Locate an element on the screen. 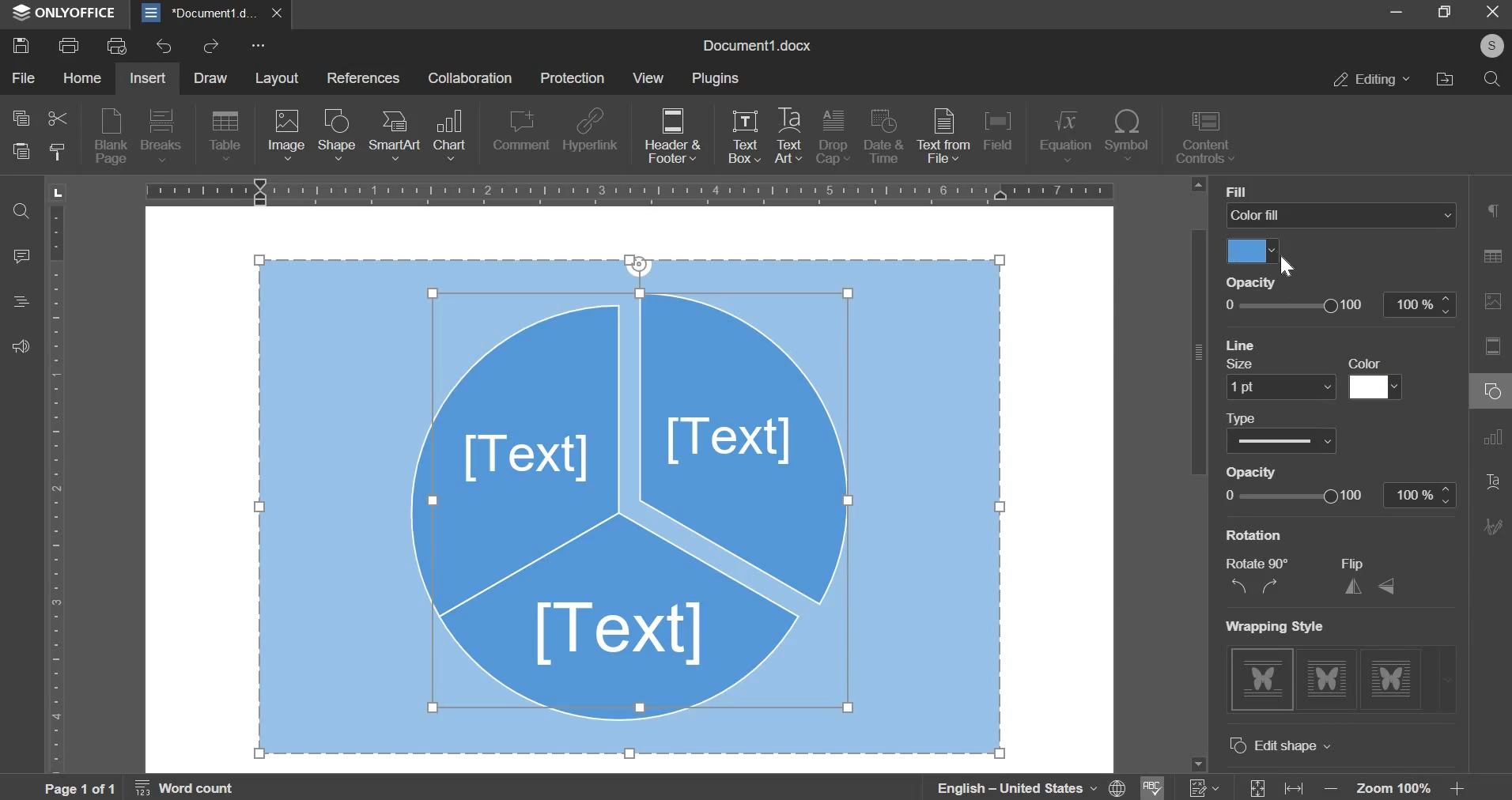  collaboration is located at coordinates (471, 80).